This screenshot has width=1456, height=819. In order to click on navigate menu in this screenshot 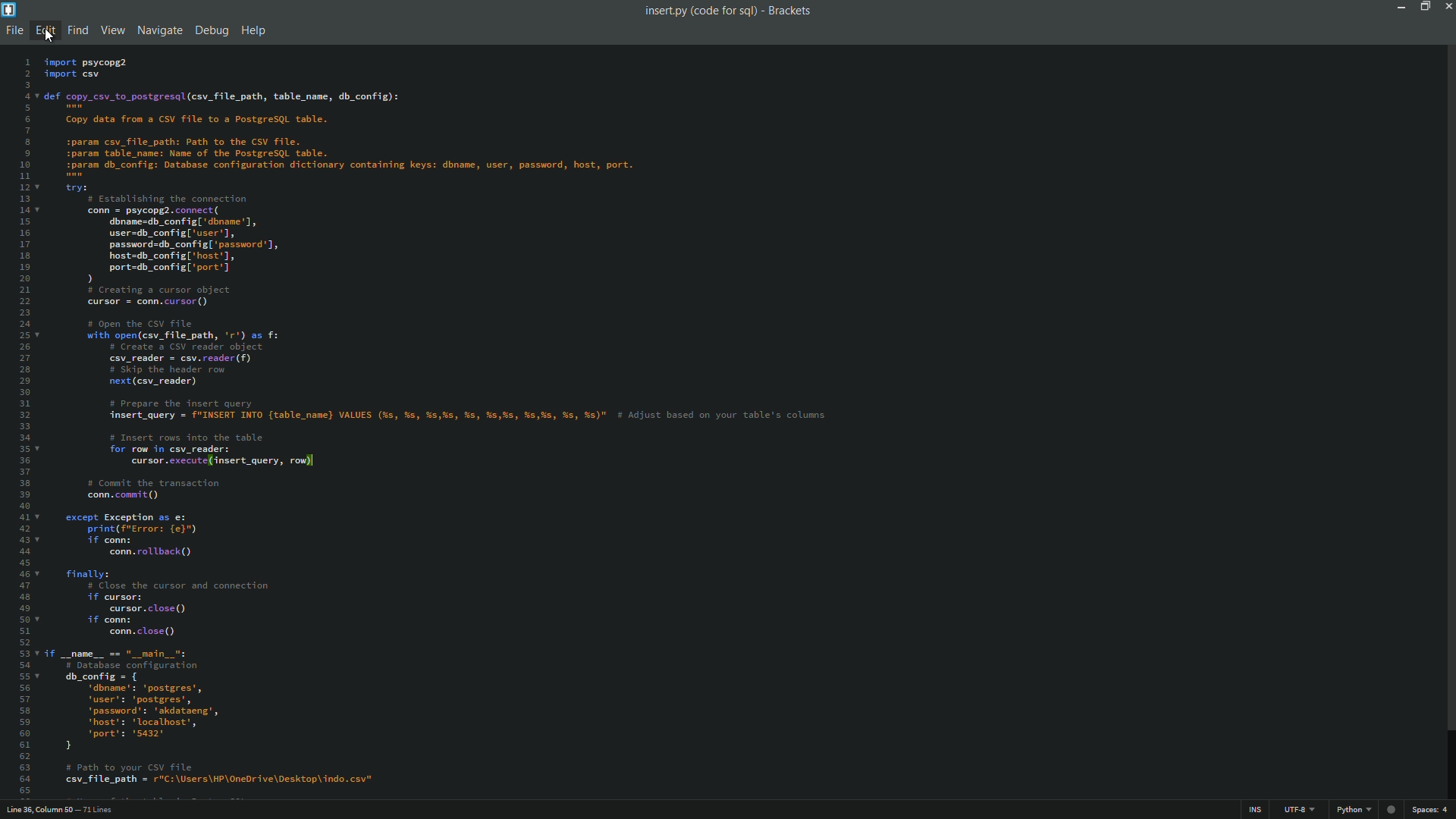, I will do `click(158, 30)`.